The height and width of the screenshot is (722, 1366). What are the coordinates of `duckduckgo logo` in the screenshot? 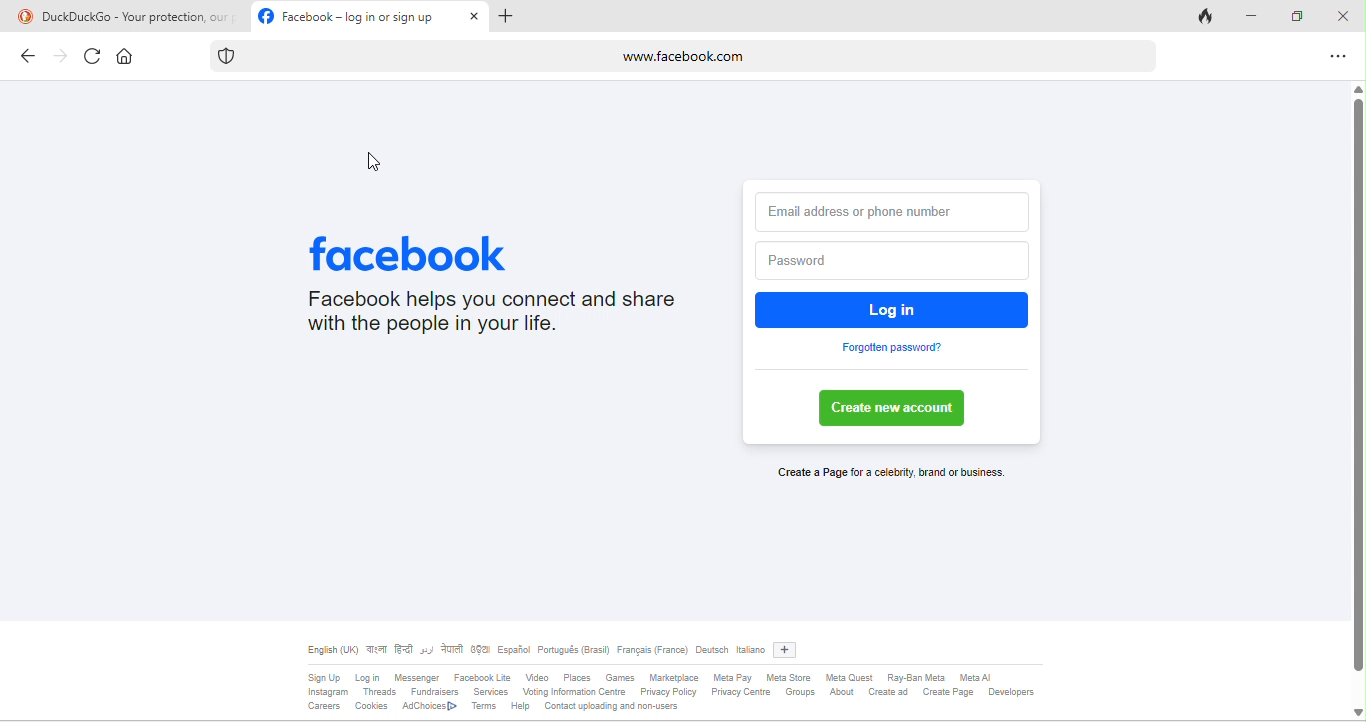 It's located at (22, 18).